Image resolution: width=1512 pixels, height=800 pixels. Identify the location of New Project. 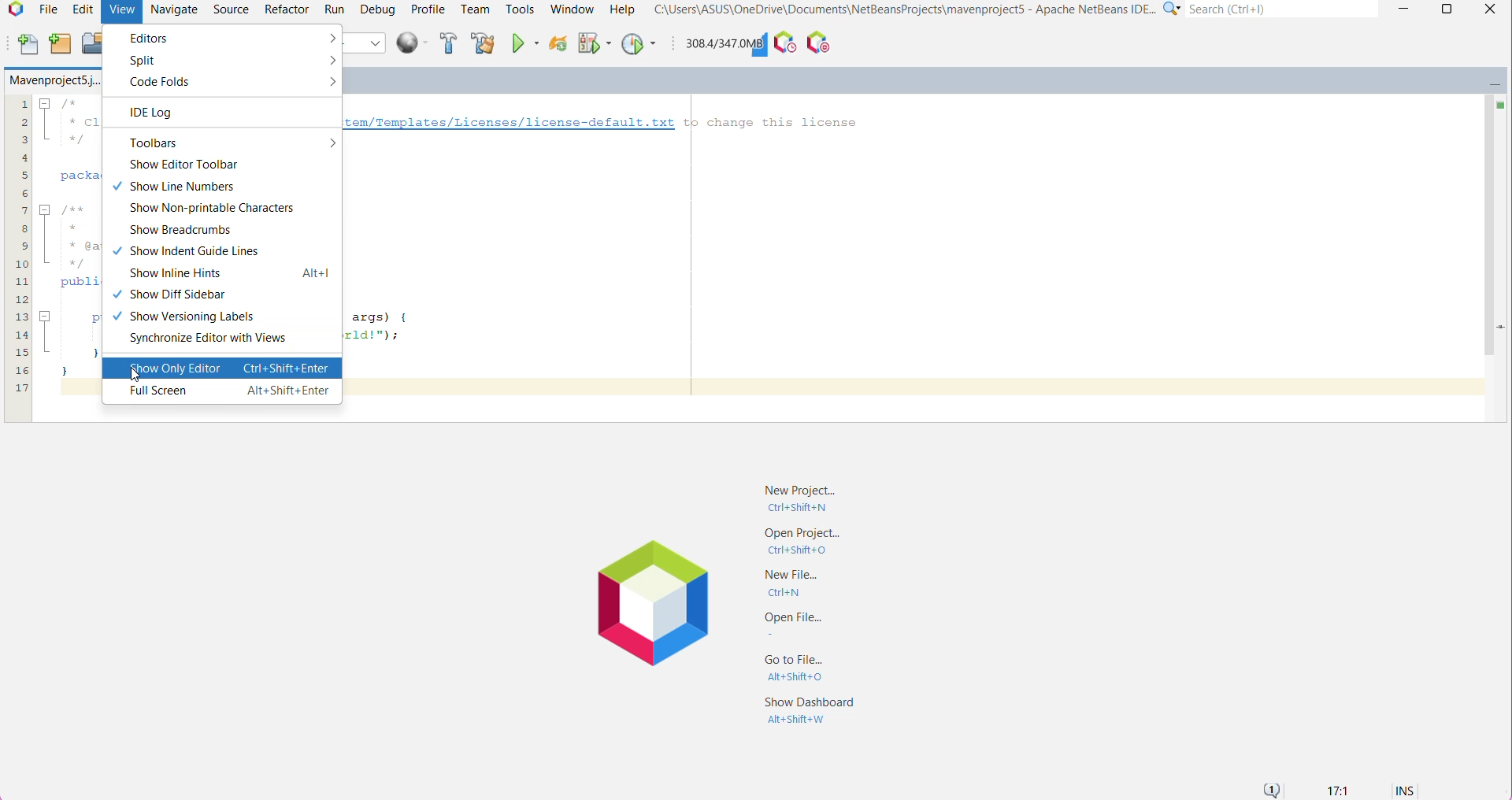
(800, 497).